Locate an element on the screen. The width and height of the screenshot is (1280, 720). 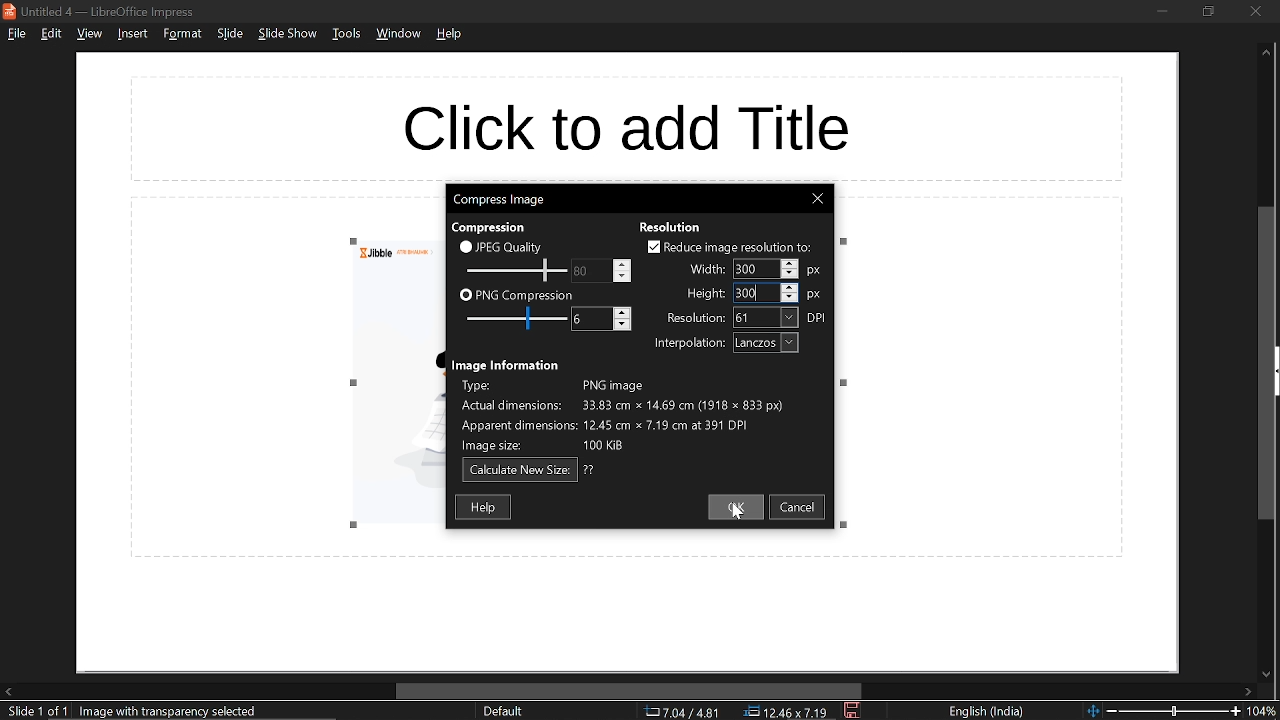
text is located at coordinates (494, 226).